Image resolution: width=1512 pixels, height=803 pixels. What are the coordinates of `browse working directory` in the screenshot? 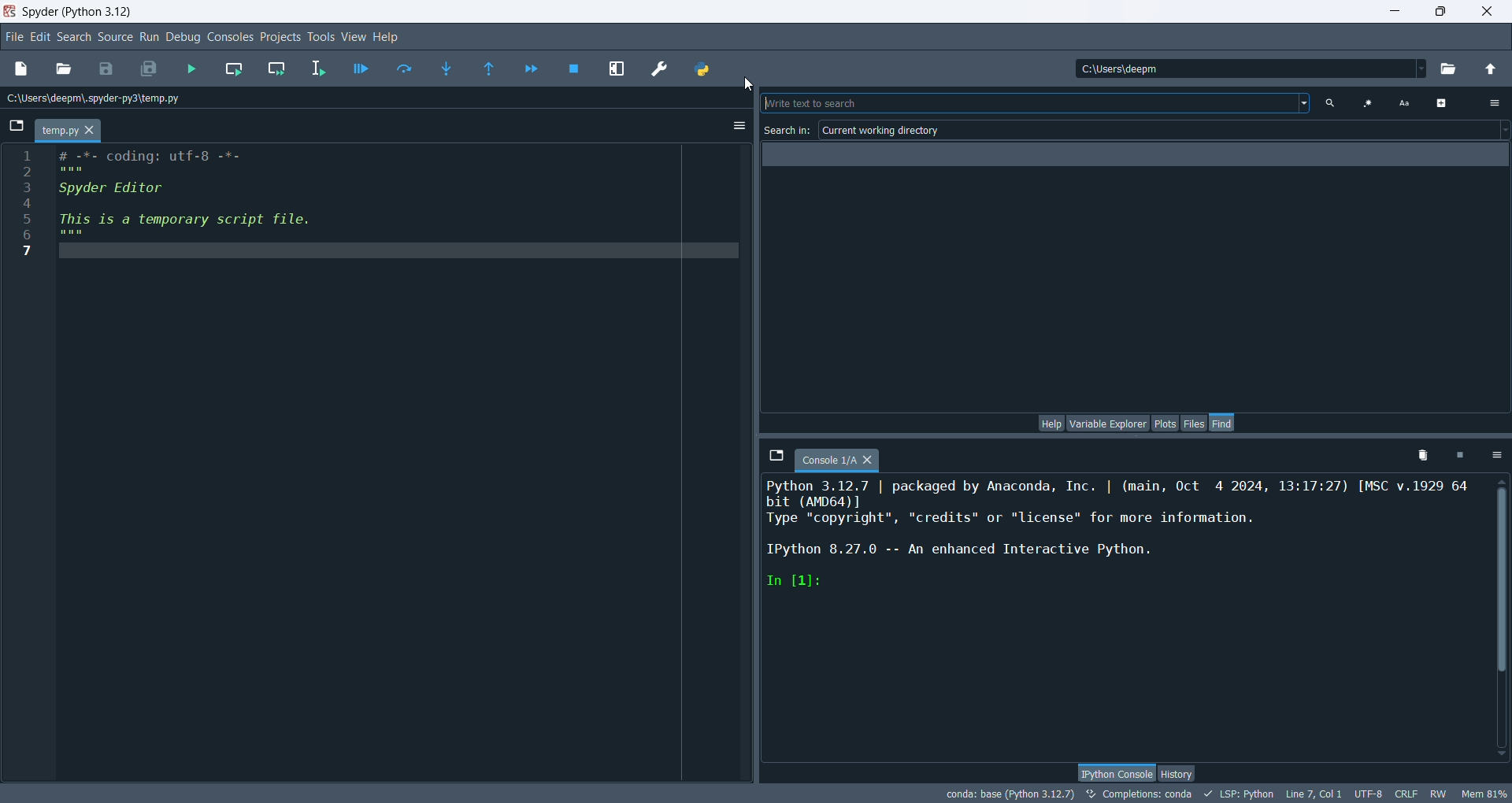 It's located at (1445, 70).